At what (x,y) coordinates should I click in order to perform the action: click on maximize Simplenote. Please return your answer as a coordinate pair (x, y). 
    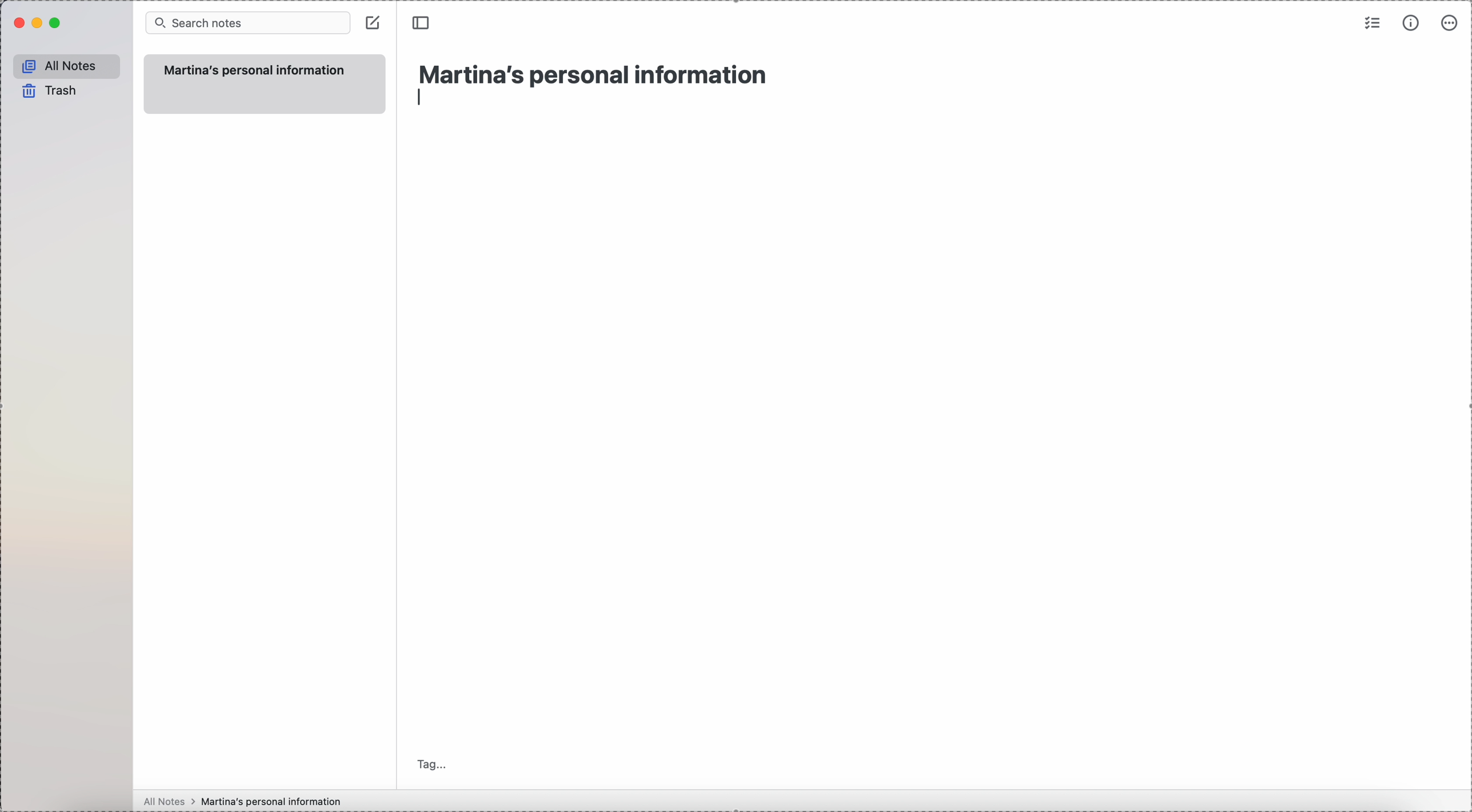
    Looking at the image, I should click on (56, 23).